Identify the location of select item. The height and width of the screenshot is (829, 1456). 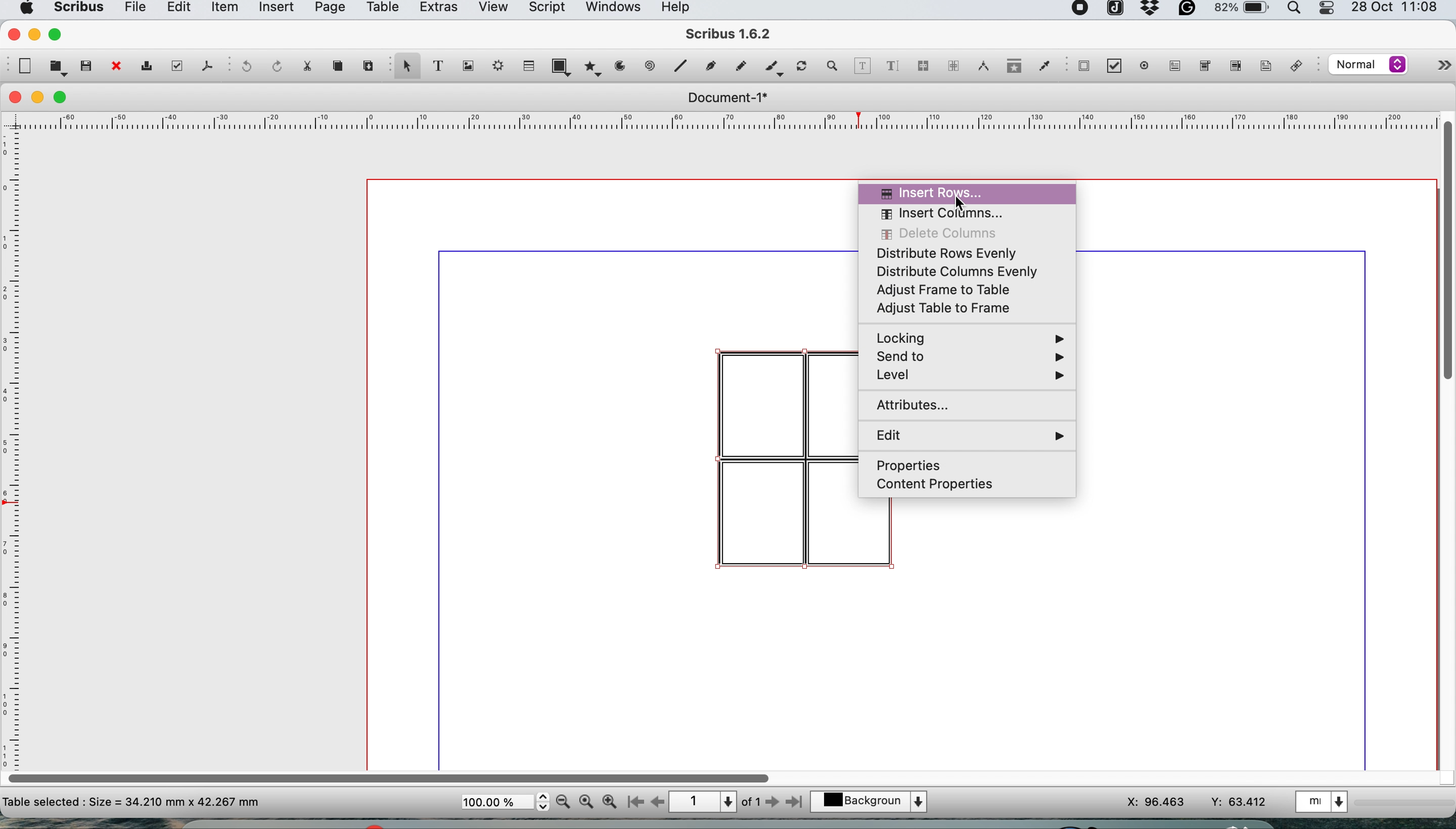
(405, 67).